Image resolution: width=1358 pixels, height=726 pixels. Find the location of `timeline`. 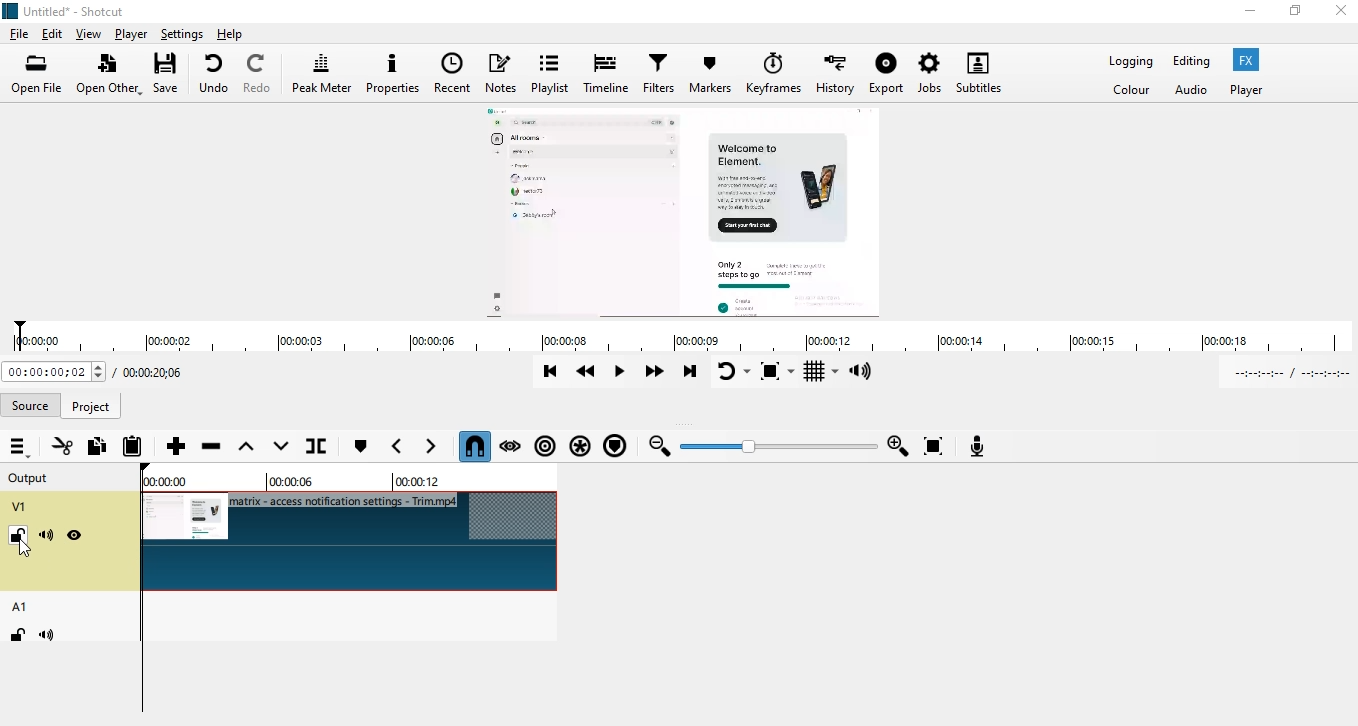

timeline is located at coordinates (677, 335).